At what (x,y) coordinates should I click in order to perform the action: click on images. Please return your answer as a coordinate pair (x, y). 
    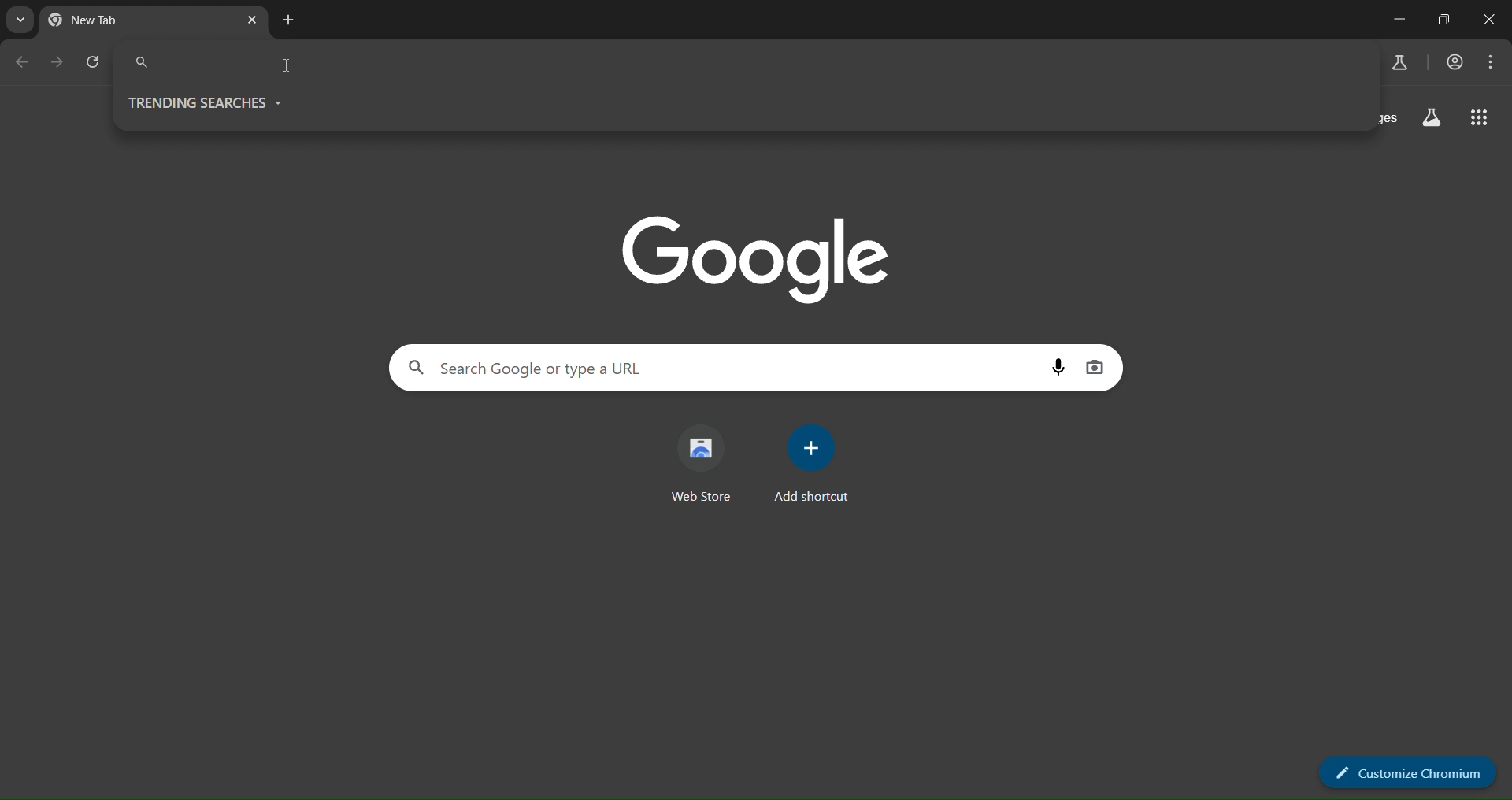
    Looking at the image, I should click on (1388, 120).